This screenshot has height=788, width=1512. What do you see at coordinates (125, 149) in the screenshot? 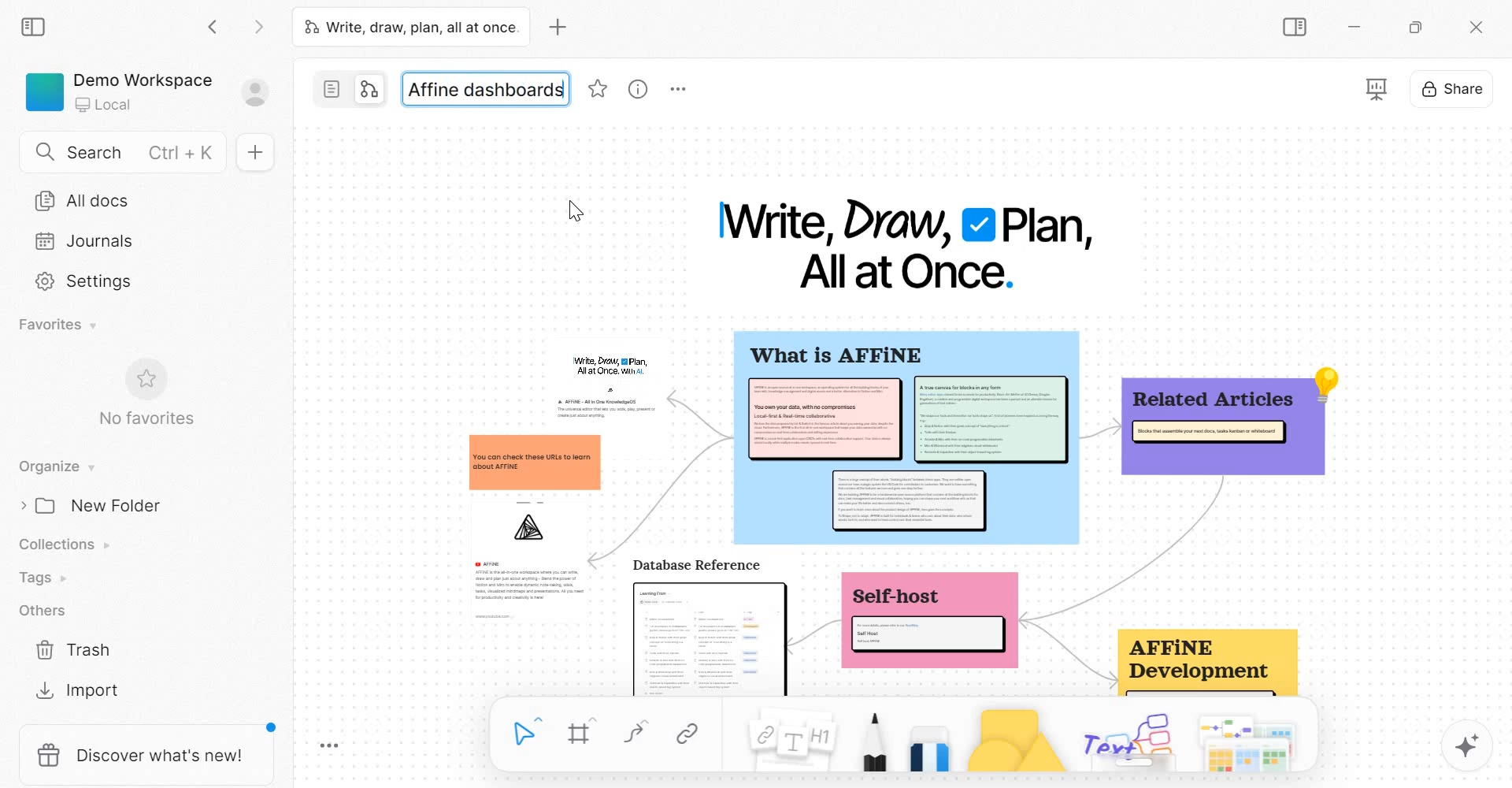
I see `Search Ctrl+K` at bounding box center [125, 149].